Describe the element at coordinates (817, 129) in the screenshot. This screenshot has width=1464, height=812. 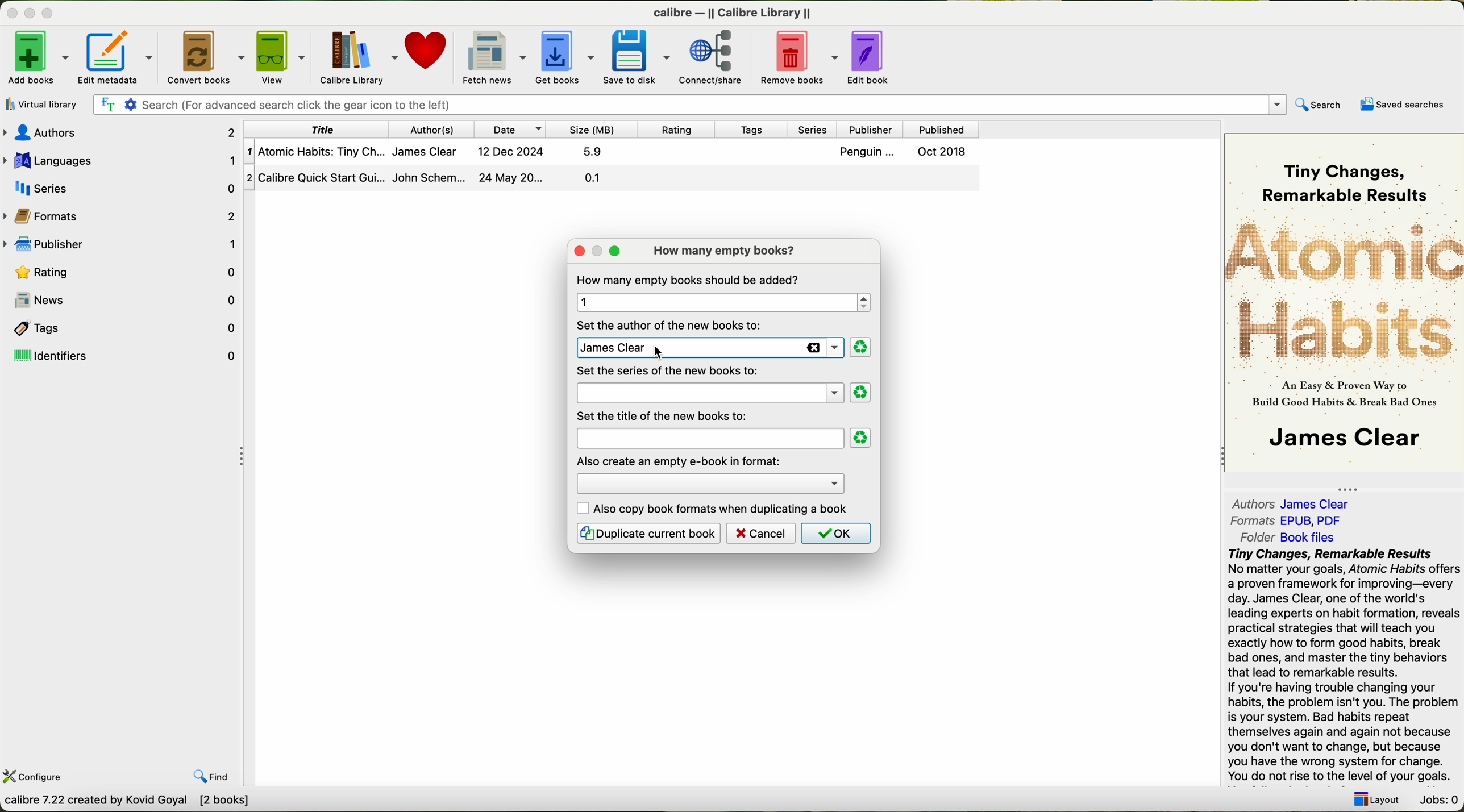
I see `series` at that location.